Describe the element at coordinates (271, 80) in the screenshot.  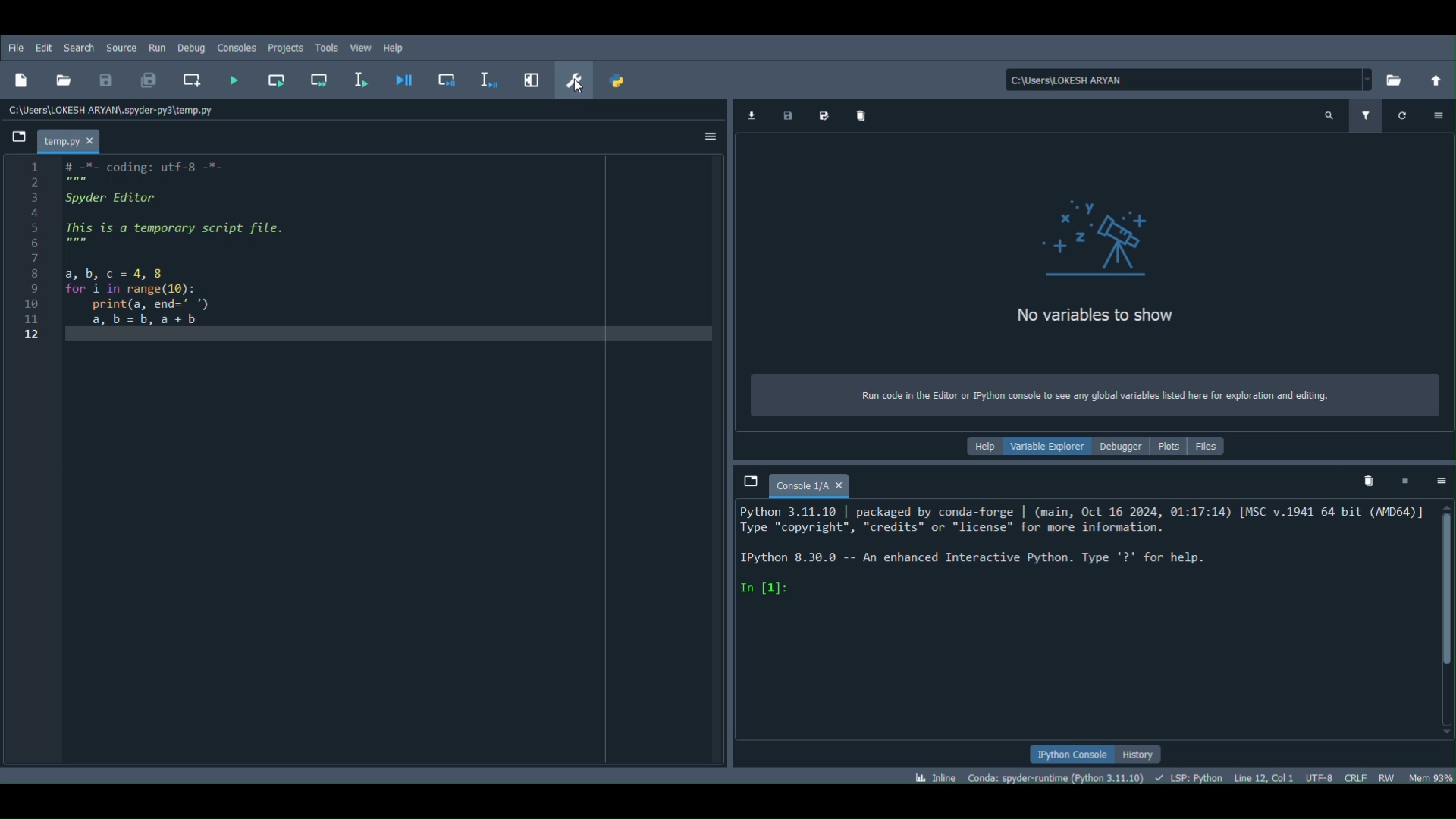
I see `Run current cell (Ctrl + Return)` at that location.